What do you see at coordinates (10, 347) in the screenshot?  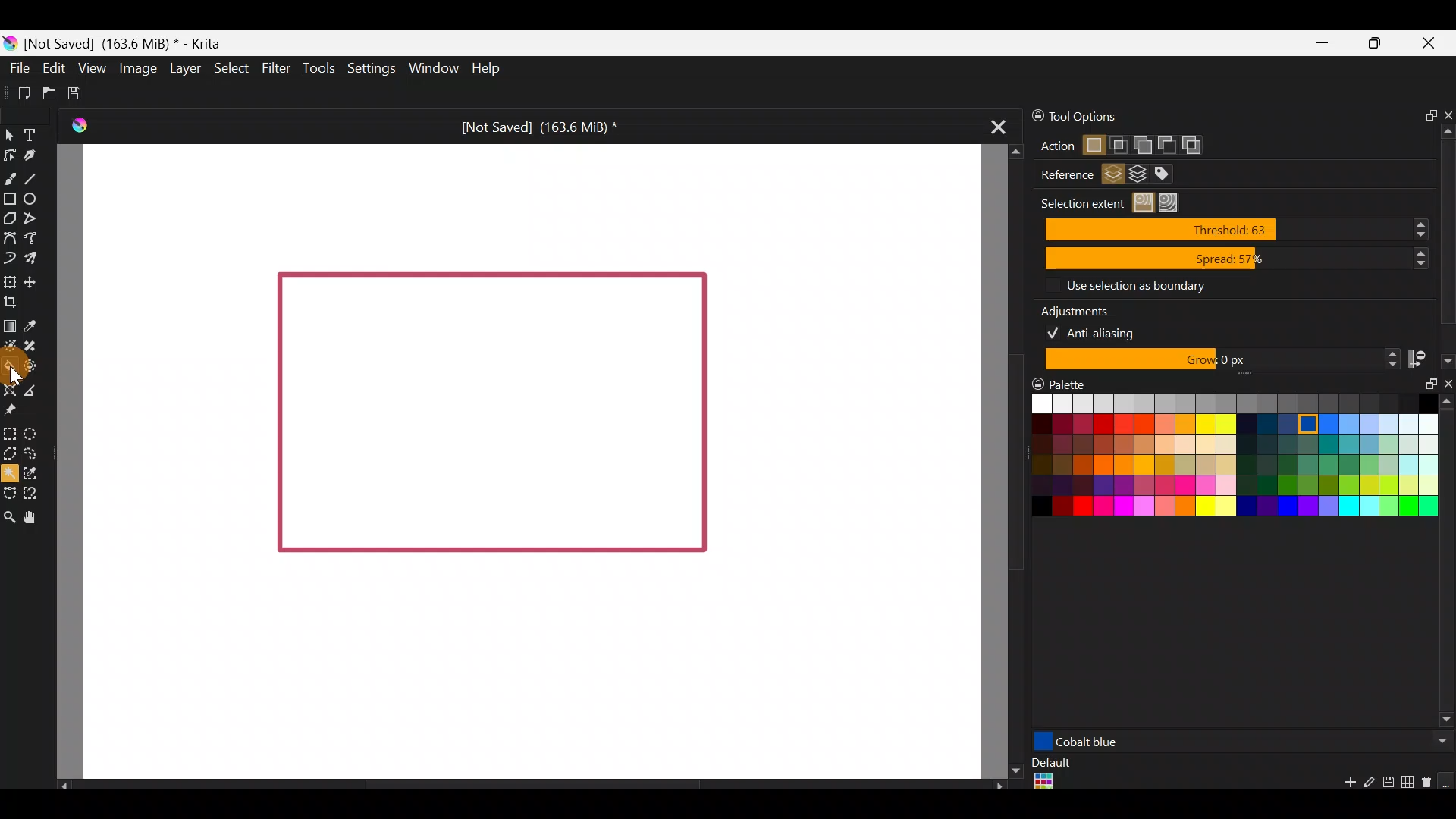 I see `Colourise mask tool` at bounding box center [10, 347].